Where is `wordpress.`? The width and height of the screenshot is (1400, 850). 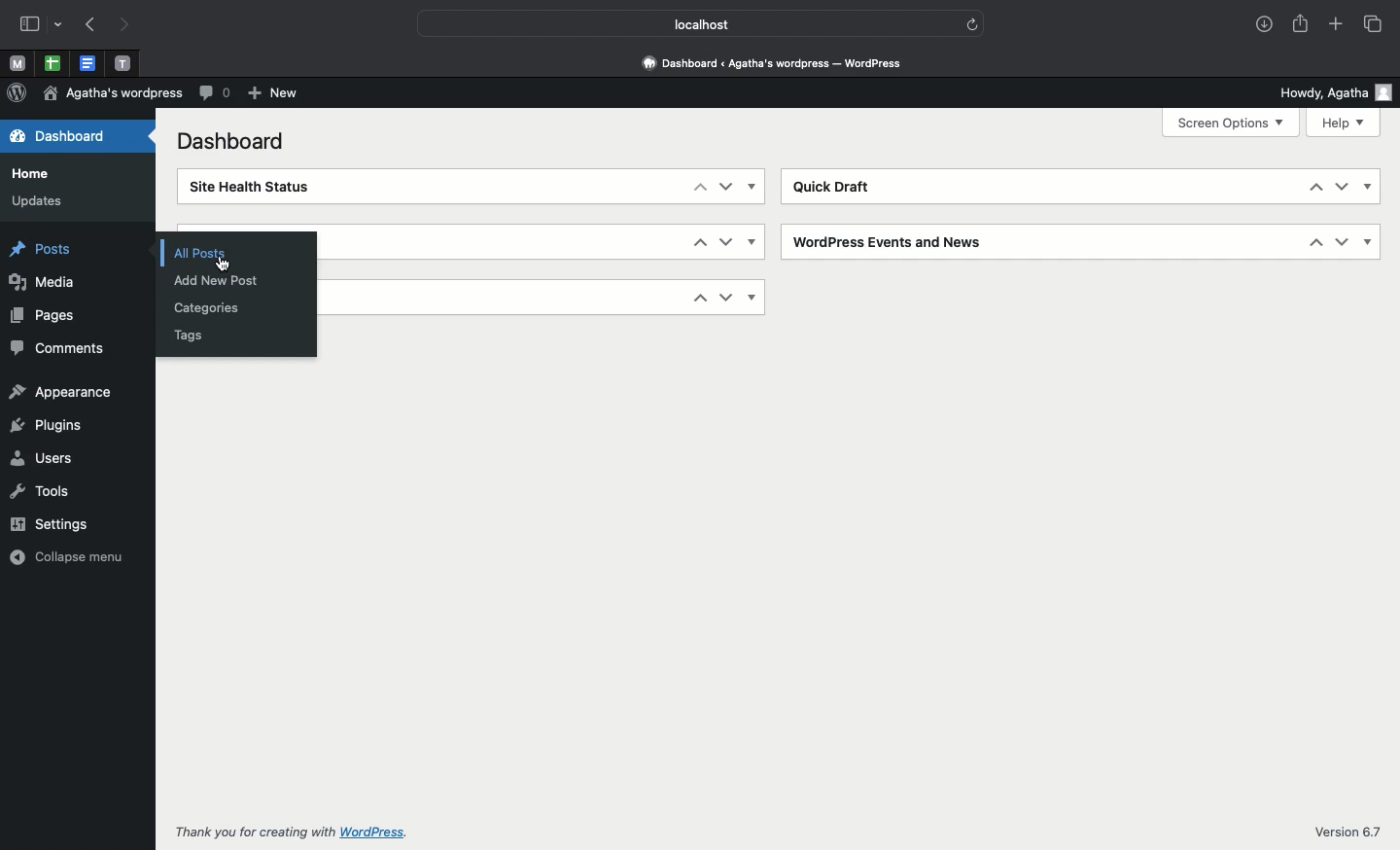
wordpress. is located at coordinates (379, 832).